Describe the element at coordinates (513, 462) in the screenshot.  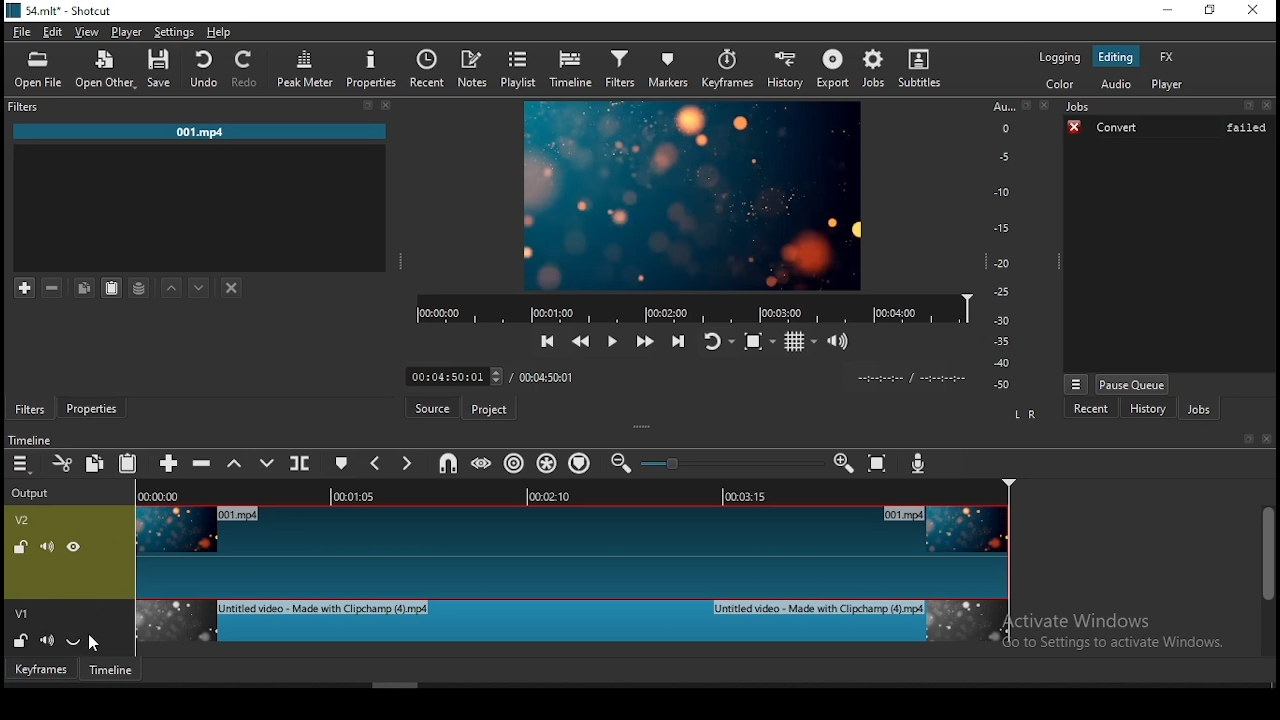
I see `ripple` at that location.